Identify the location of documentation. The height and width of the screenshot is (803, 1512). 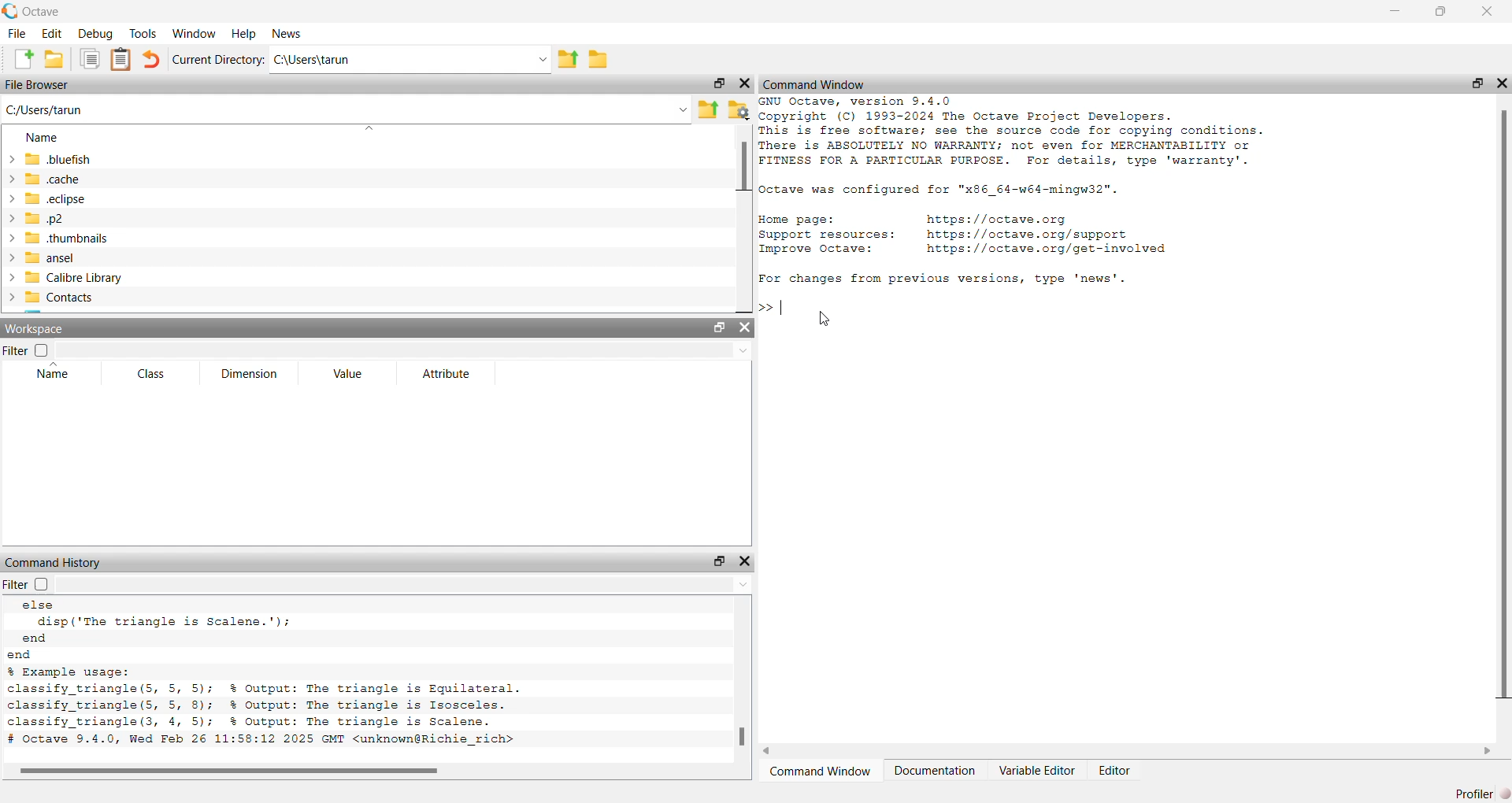
(935, 770).